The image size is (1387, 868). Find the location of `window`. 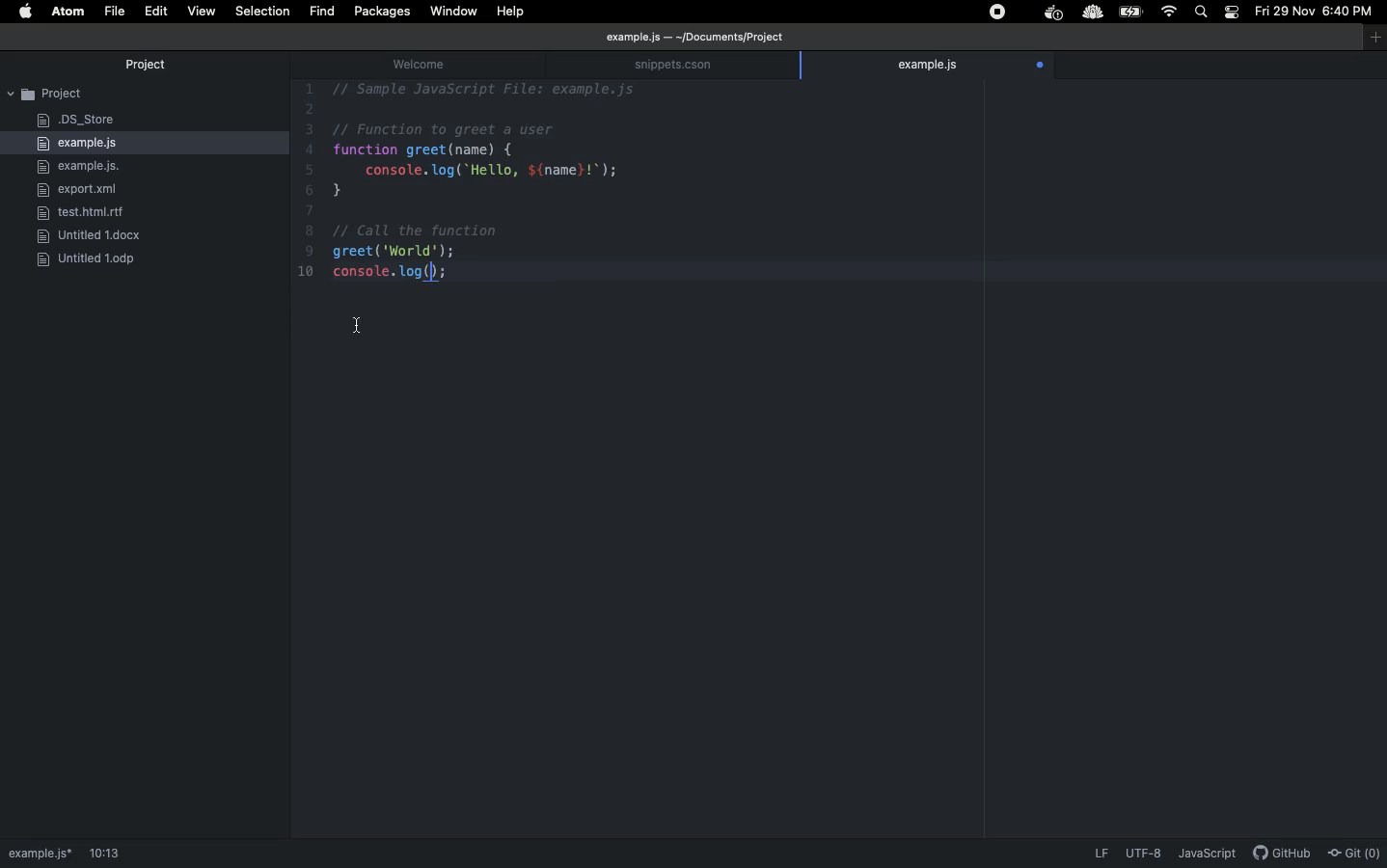

window is located at coordinates (1373, 39).